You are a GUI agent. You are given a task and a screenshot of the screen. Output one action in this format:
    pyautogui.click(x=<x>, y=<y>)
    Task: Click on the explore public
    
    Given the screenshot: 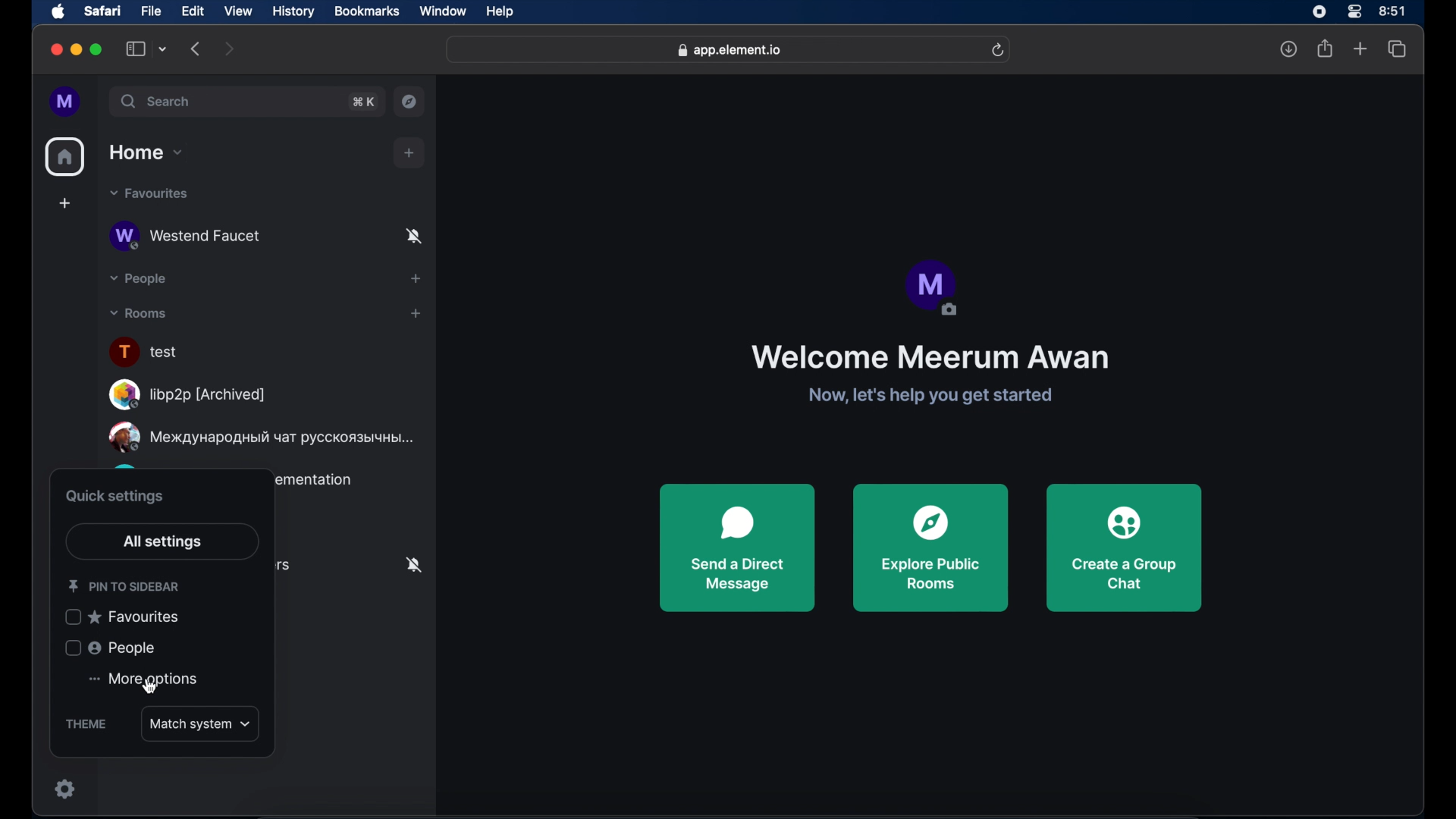 What is the action you would take?
    pyautogui.click(x=932, y=548)
    